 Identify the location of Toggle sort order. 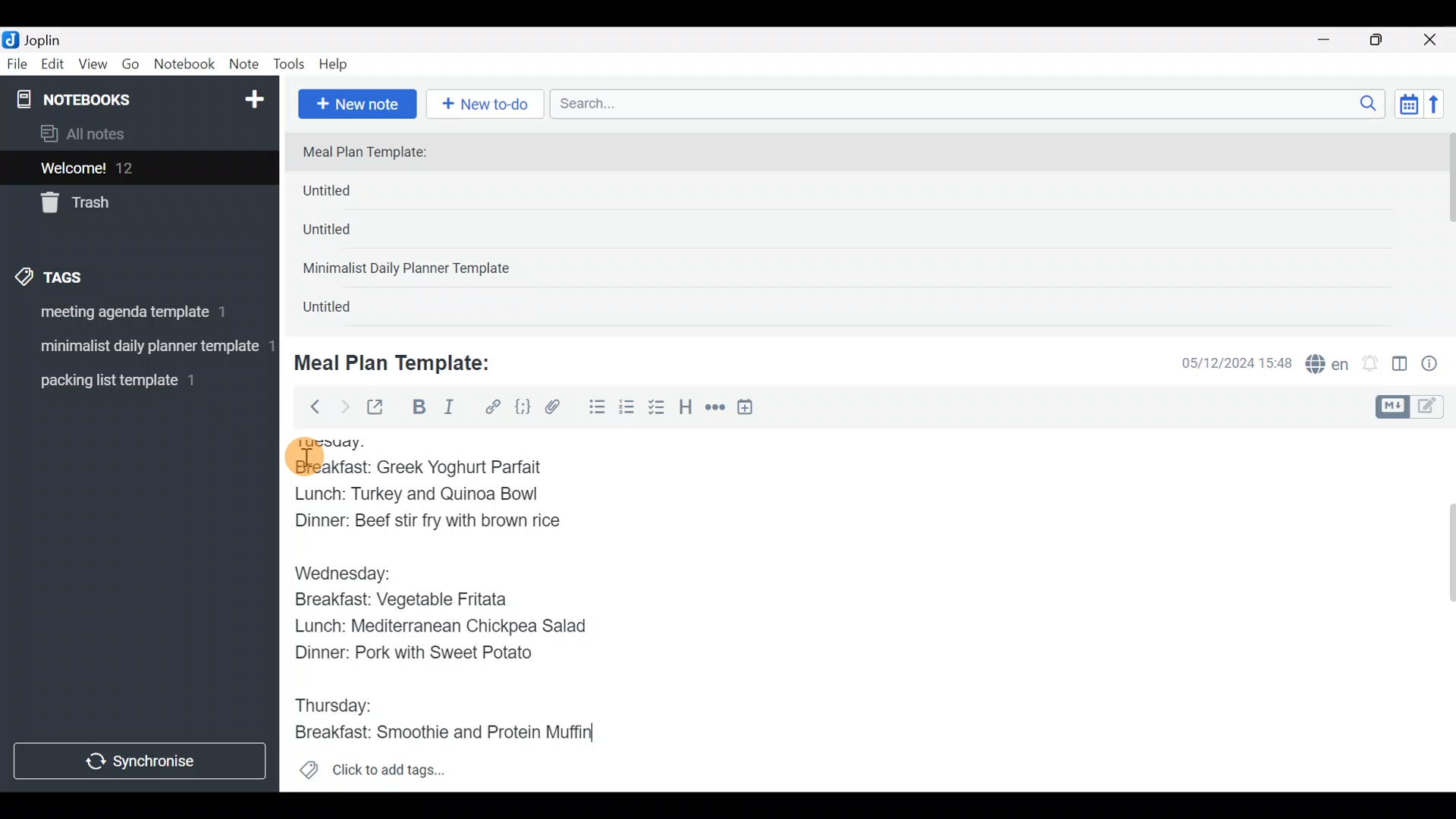
(1408, 105).